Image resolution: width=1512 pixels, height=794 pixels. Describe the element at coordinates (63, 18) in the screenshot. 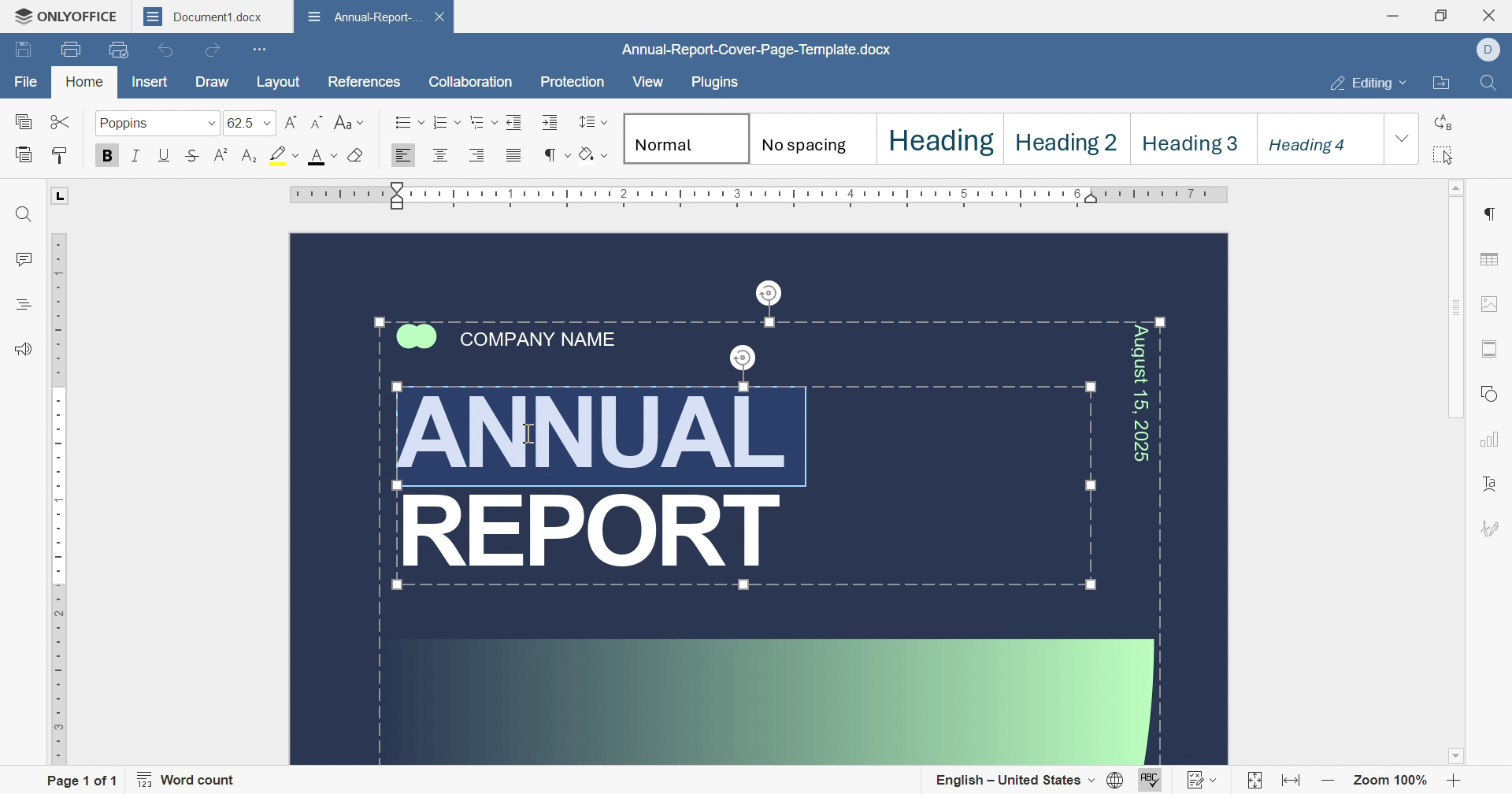

I see `ONLYOFFICE` at that location.